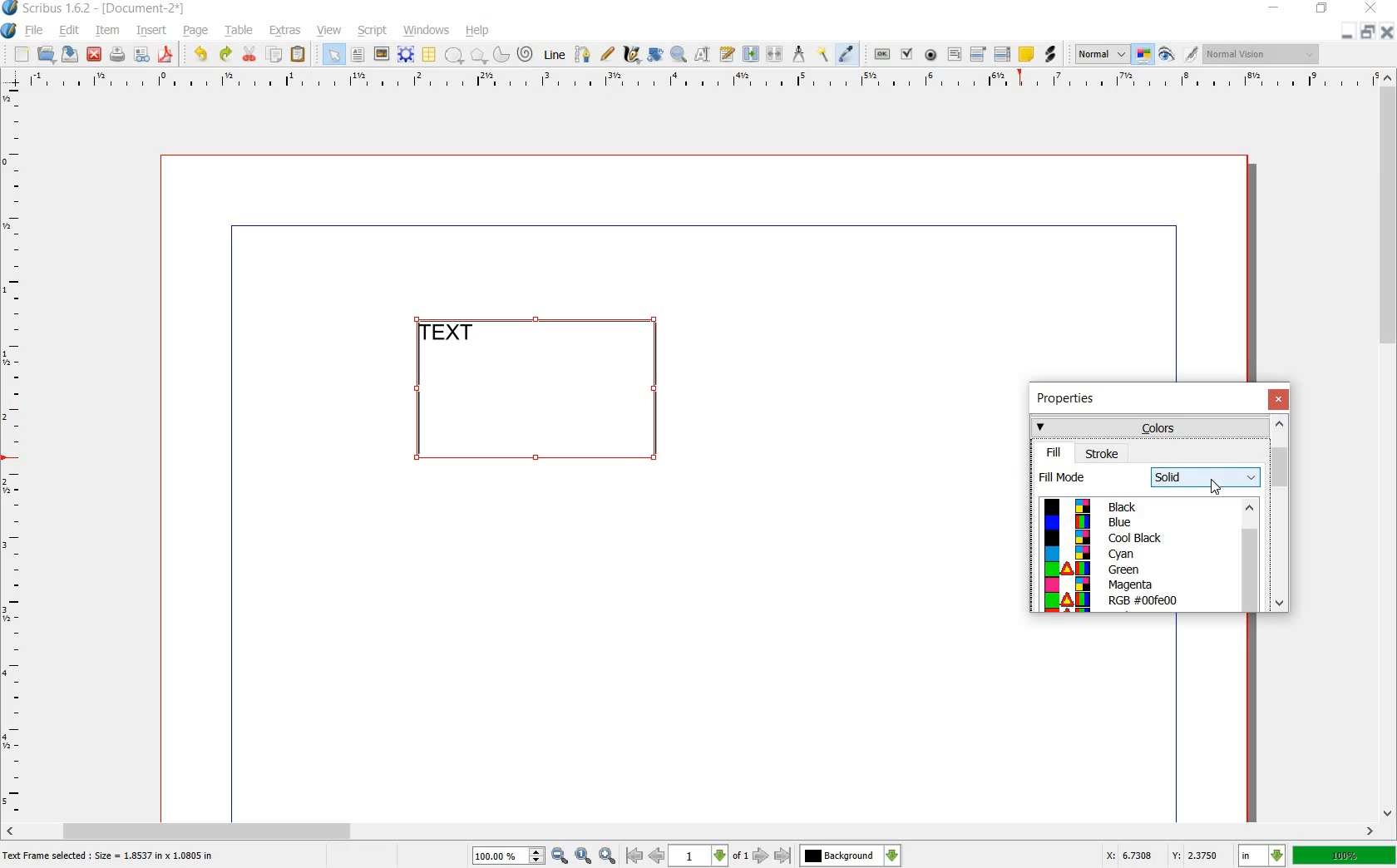 The image size is (1397, 868). I want to click on edit contents of frame, so click(703, 55).